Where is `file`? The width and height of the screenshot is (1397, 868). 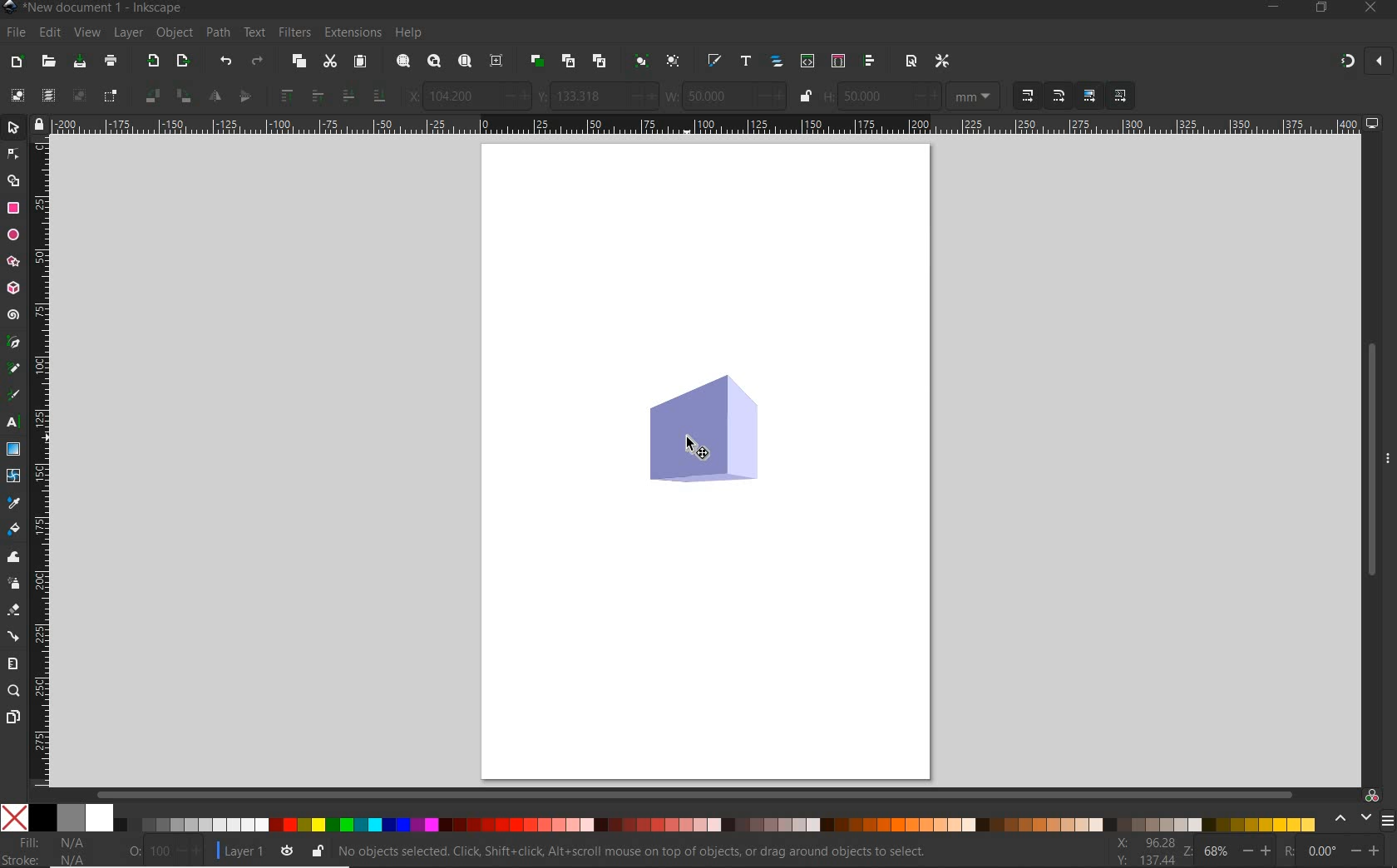 file is located at coordinates (16, 33).